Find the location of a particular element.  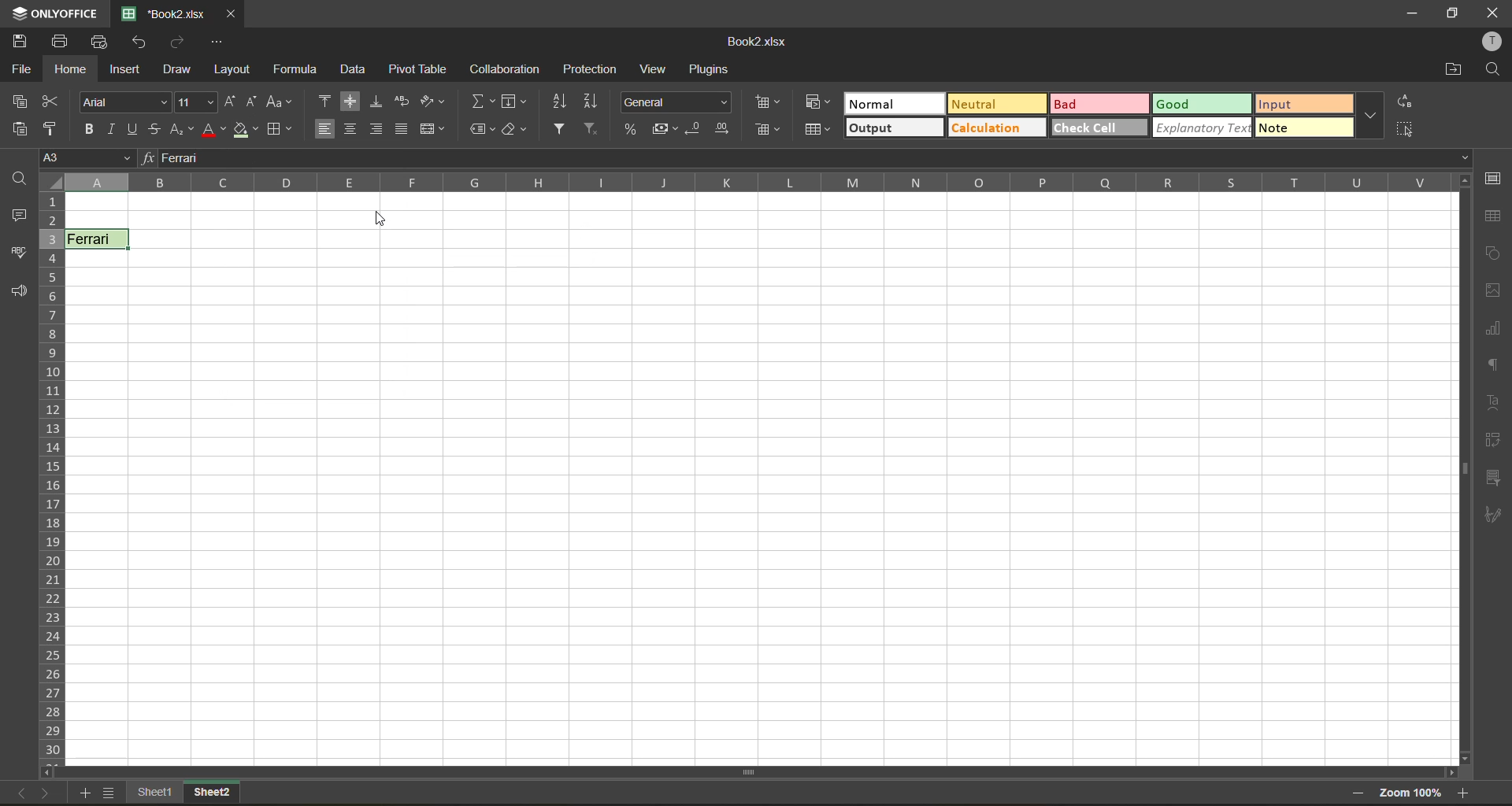

input is located at coordinates (1305, 102).